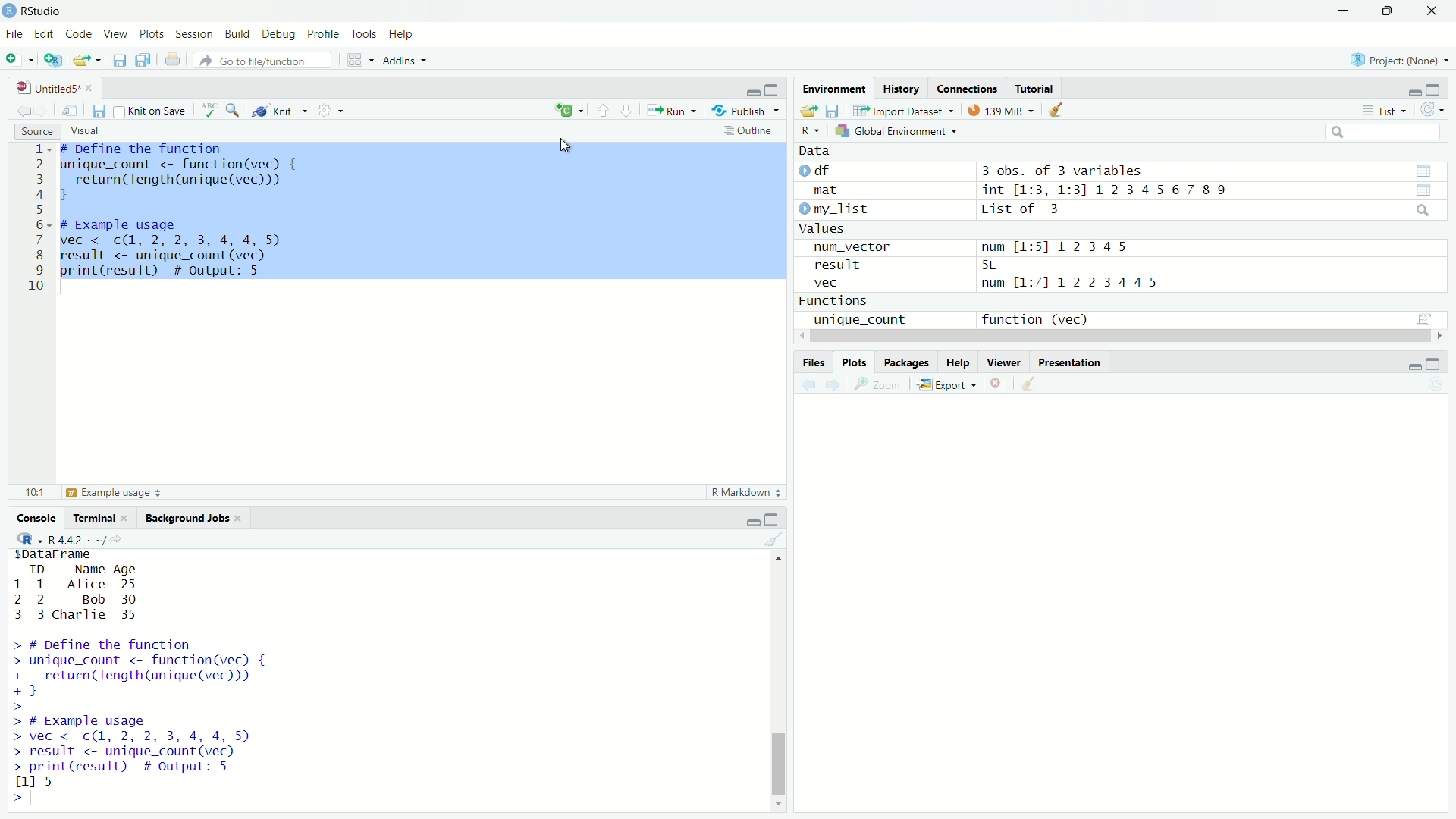 This screenshot has width=1456, height=819. Describe the element at coordinates (98, 519) in the screenshot. I see `Terminal` at that location.